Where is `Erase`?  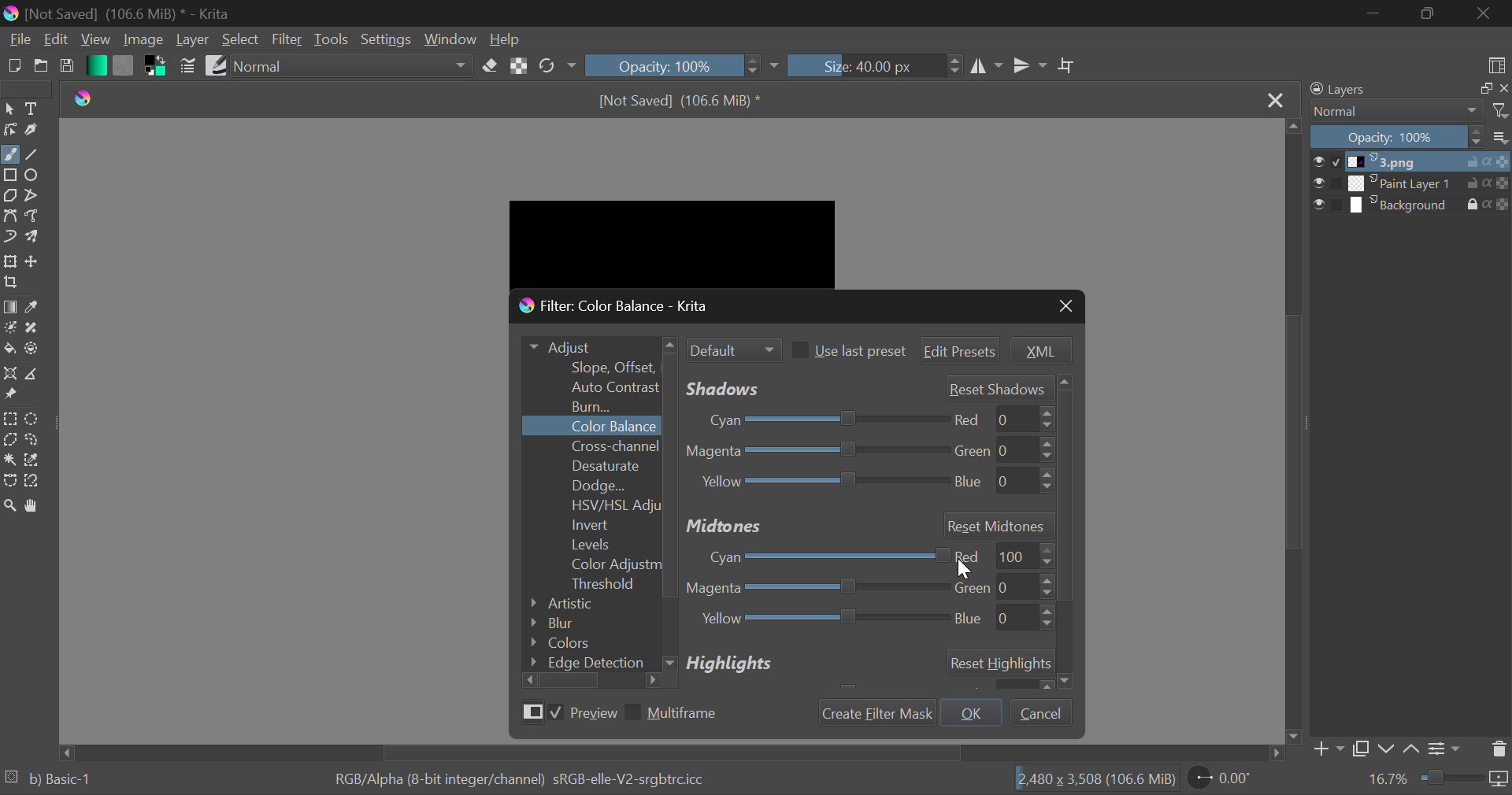 Erase is located at coordinates (490, 67).